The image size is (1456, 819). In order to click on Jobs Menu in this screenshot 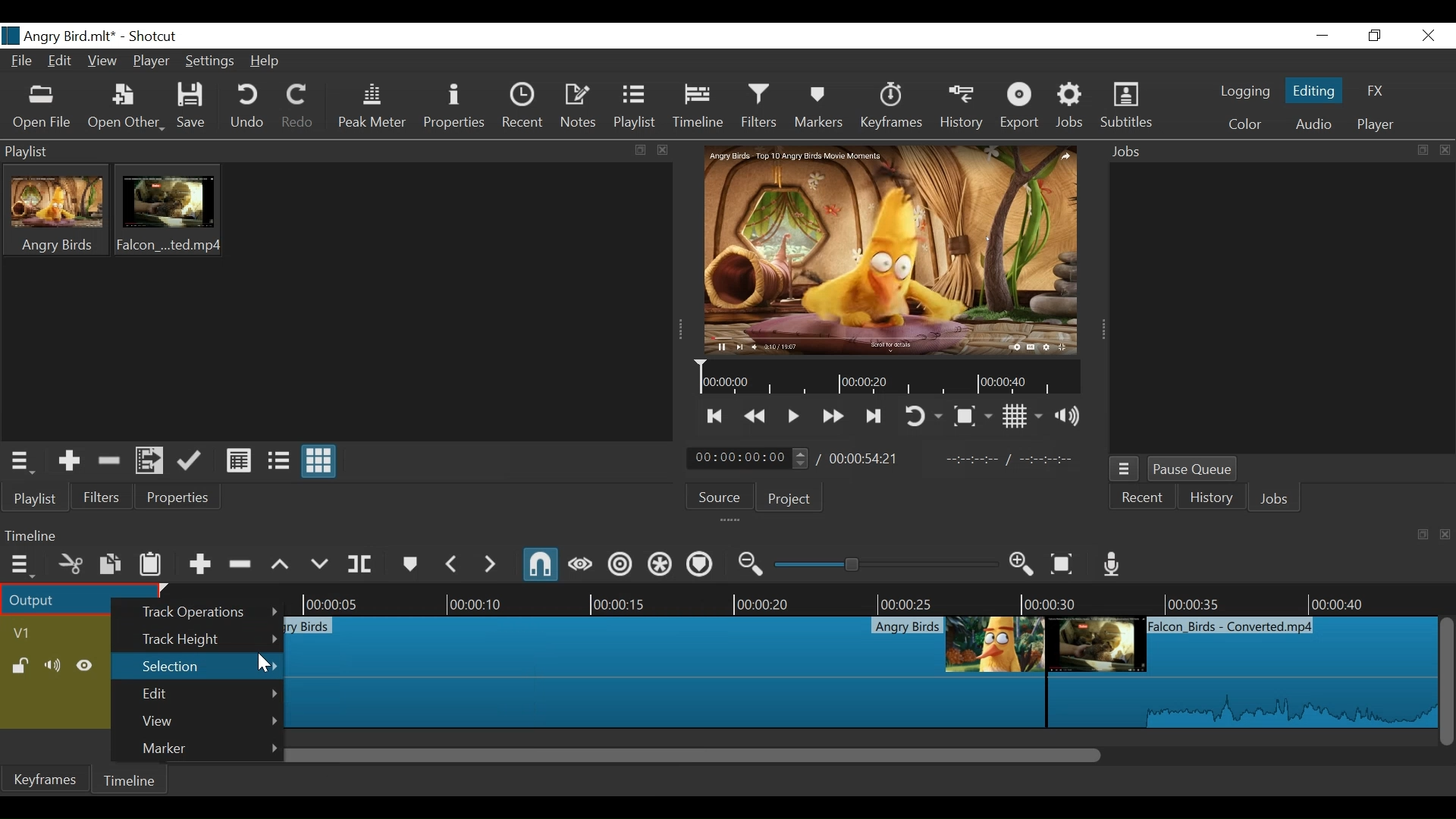, I will do `click(1125, 469)`.